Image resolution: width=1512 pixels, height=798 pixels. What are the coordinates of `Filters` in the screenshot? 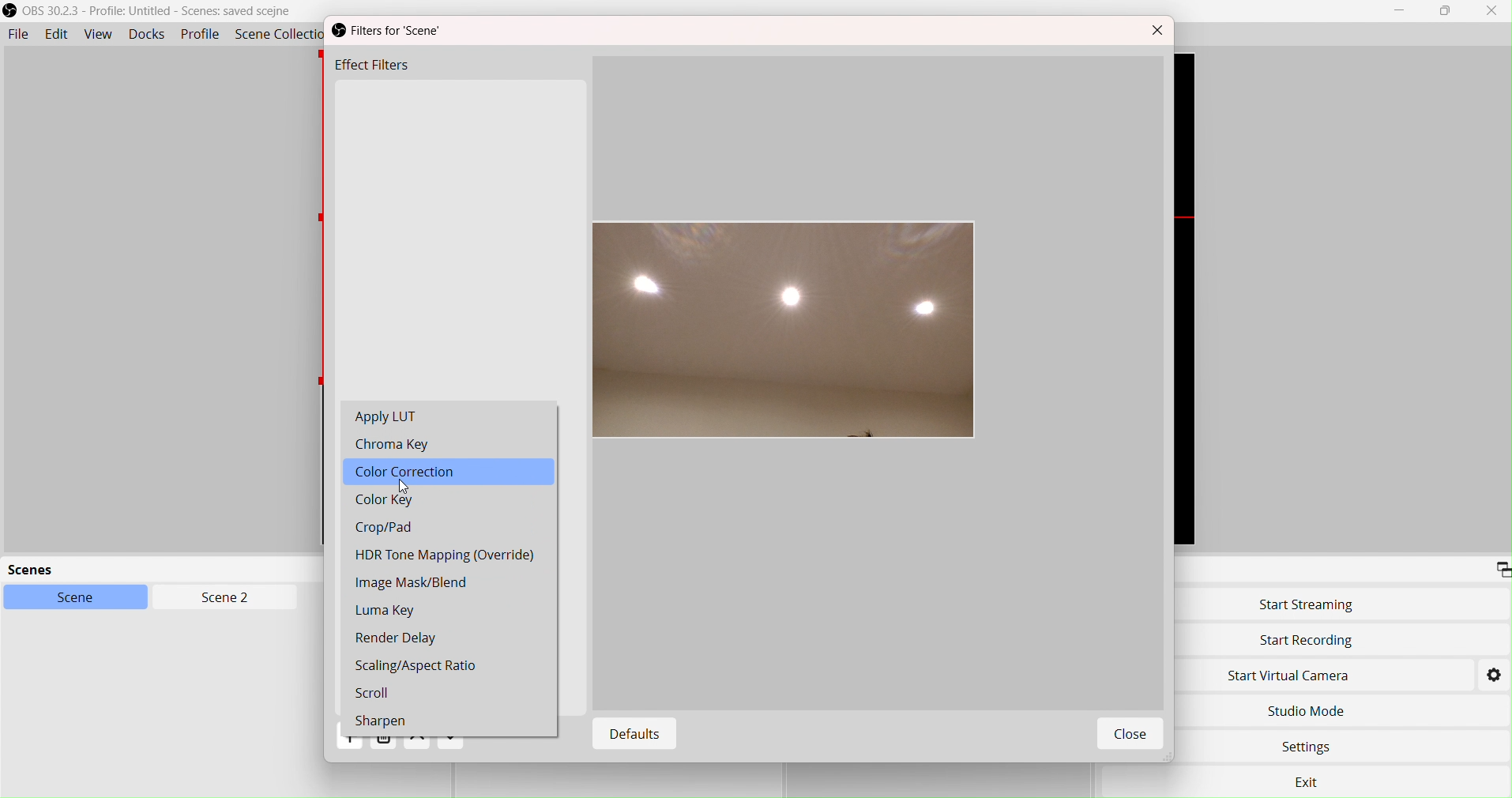 It's located at (401, 31).